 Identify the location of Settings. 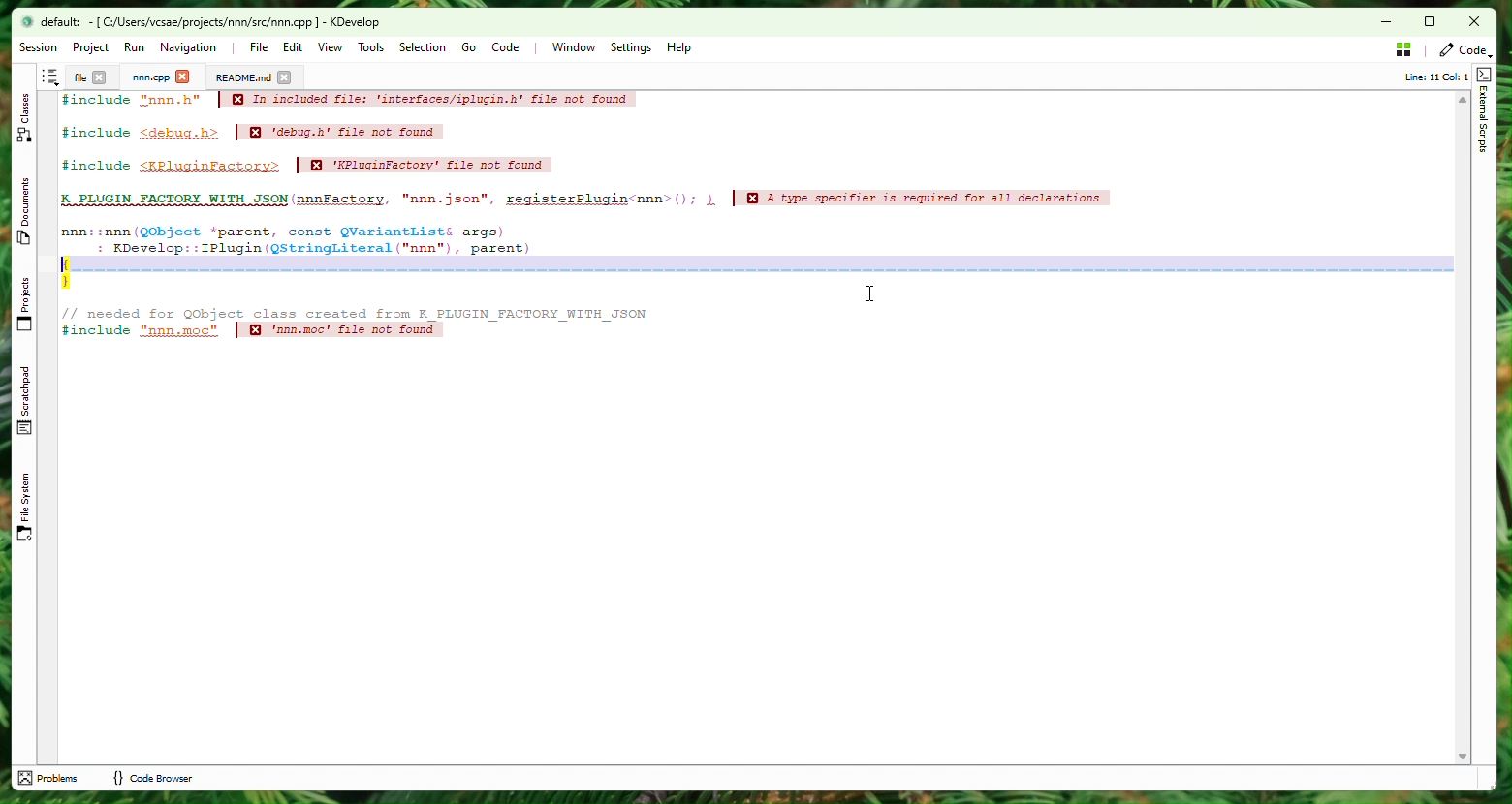
(632, 48).